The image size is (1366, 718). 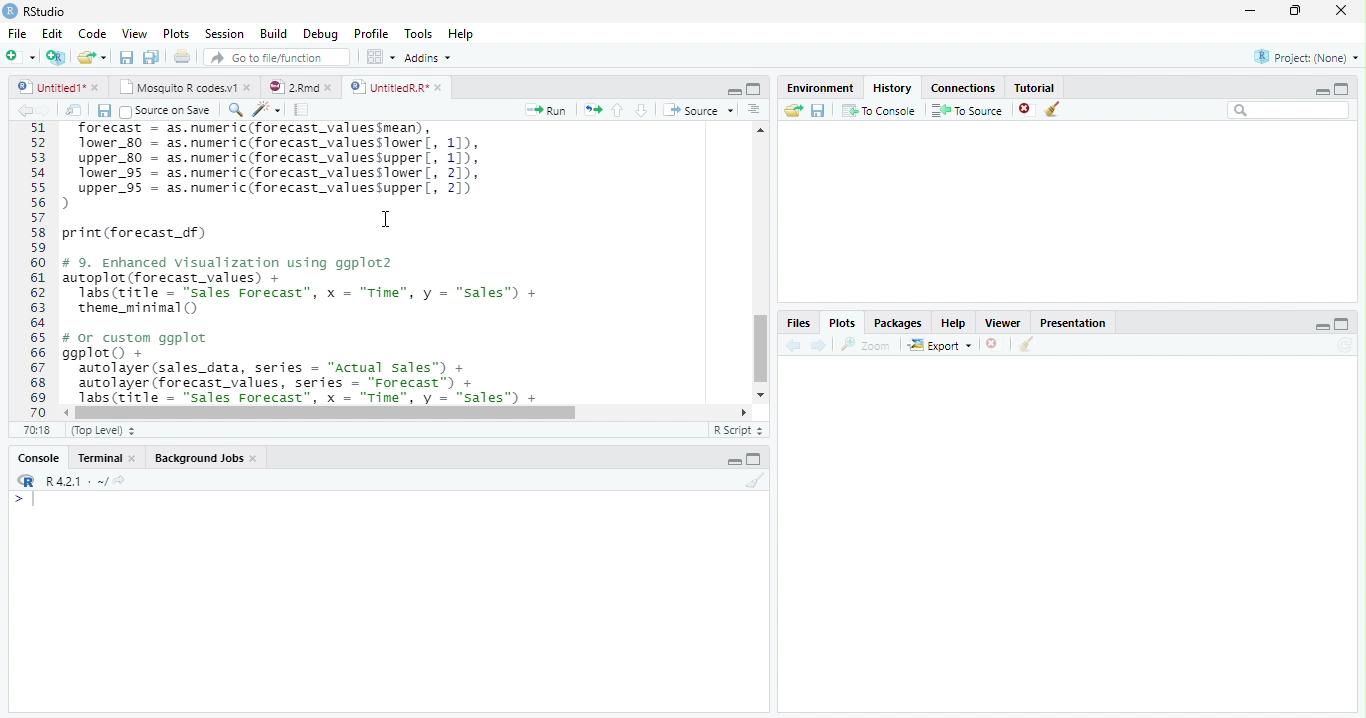 What do you see at coordinates (1342, 325) in the screenshot?
I see `Maximize` at bounding box center [1342, 325].